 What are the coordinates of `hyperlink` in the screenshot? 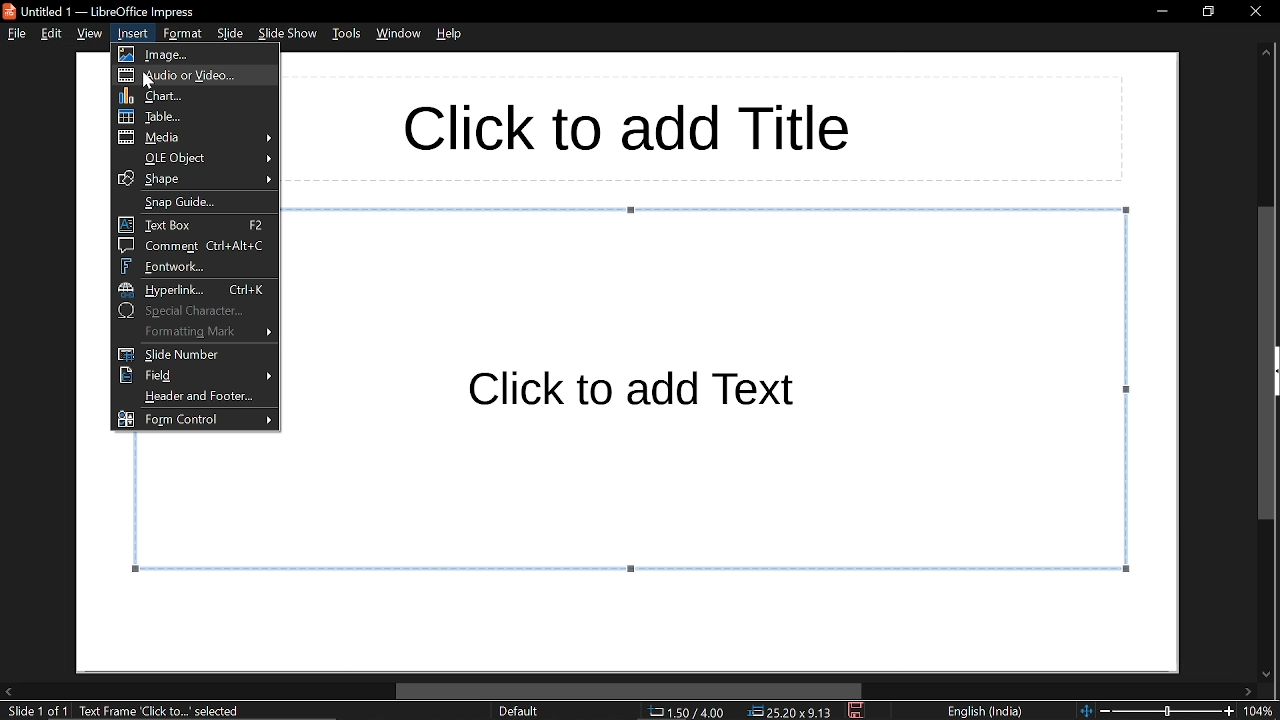 It's located at (192, 288).